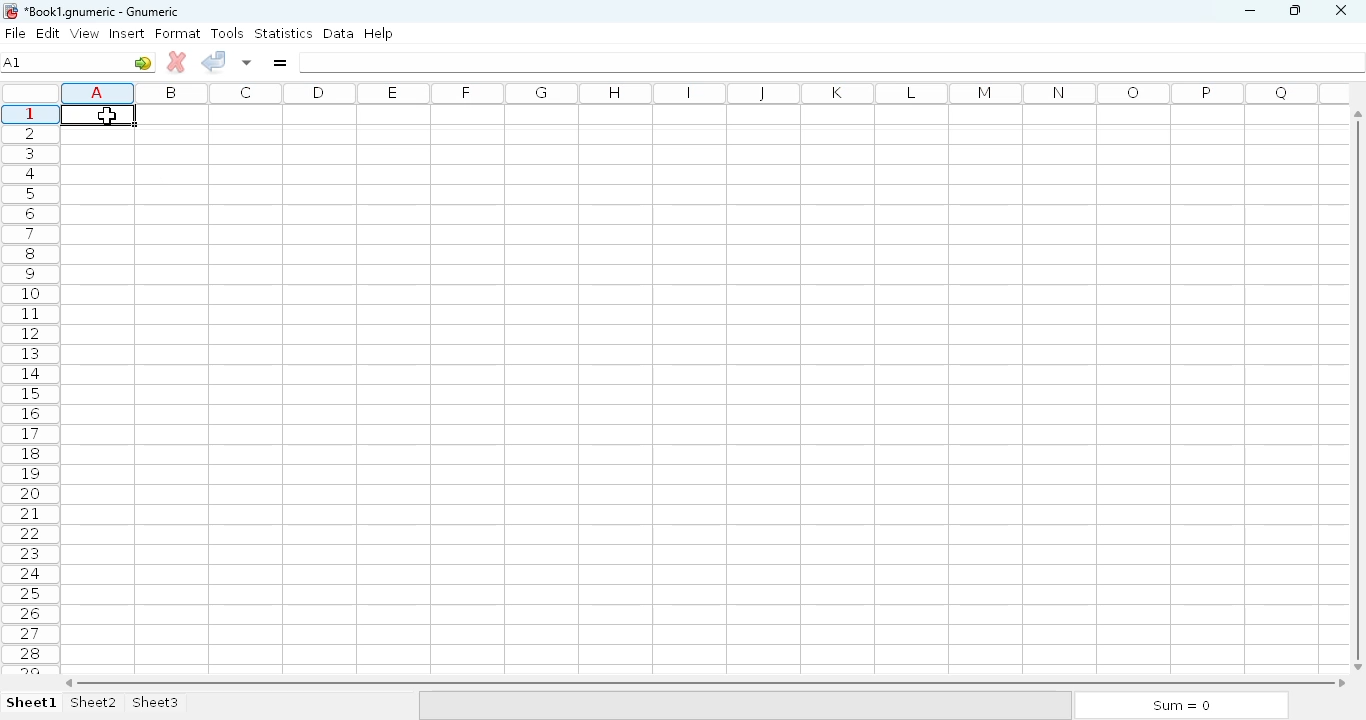 This screenshot has width=1366, height=720. I want to click on accept change, so click(213, 60).